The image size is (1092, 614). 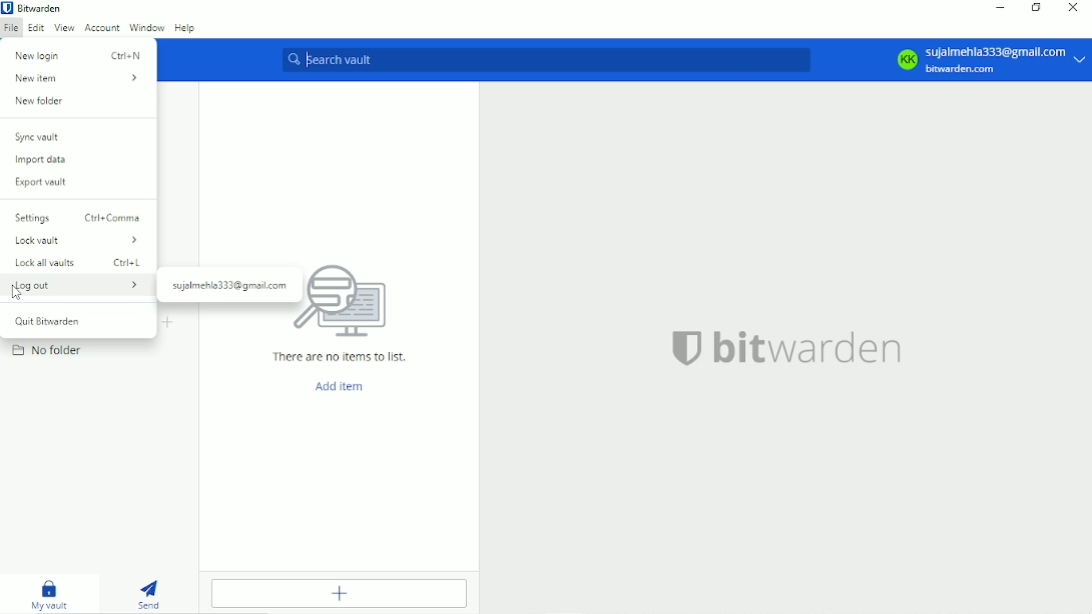 I want to click on Lock all vaults  Ctrl+L, so click(x=79, y=263).